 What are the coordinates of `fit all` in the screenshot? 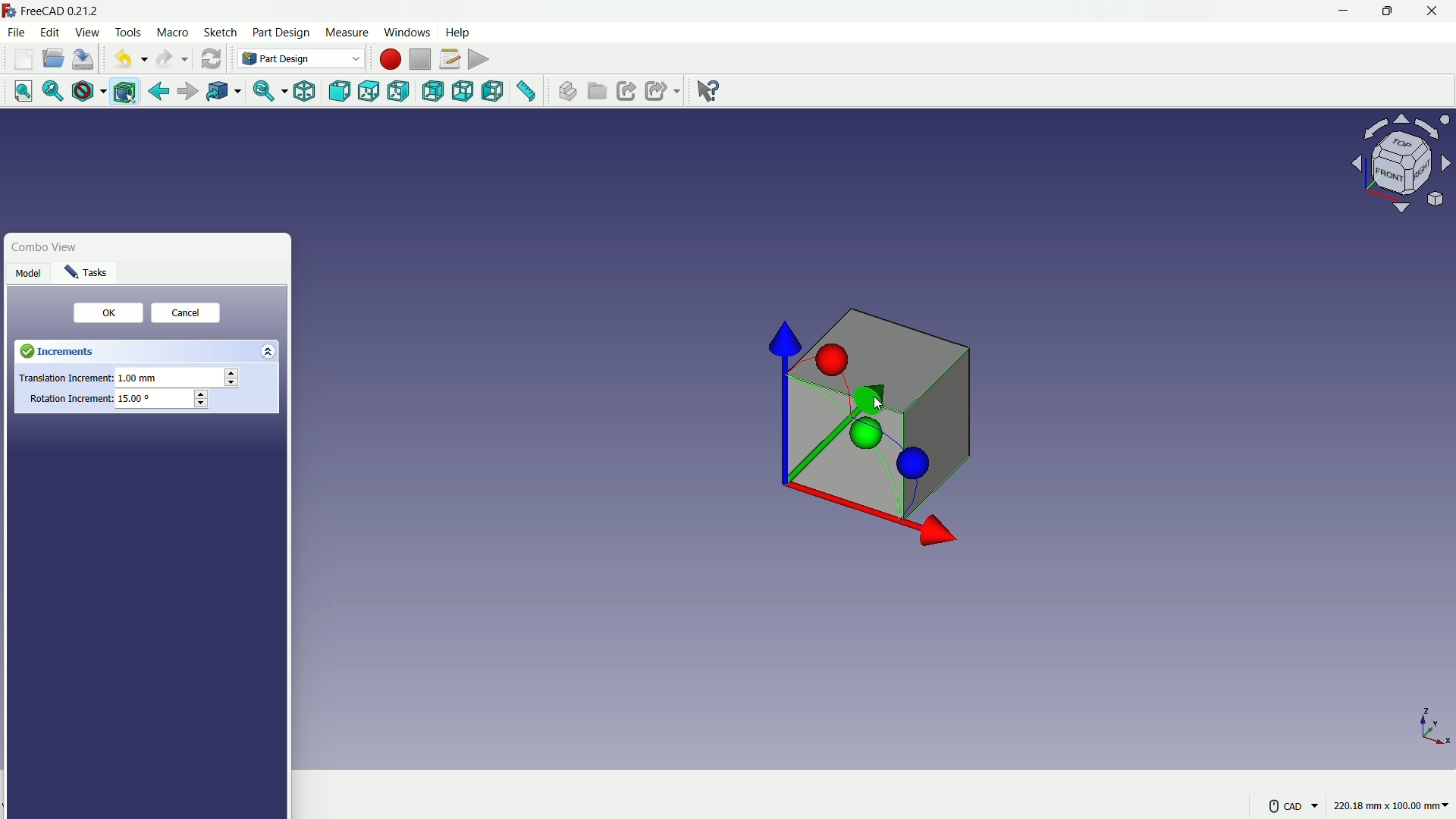 It's located at (18, 90).